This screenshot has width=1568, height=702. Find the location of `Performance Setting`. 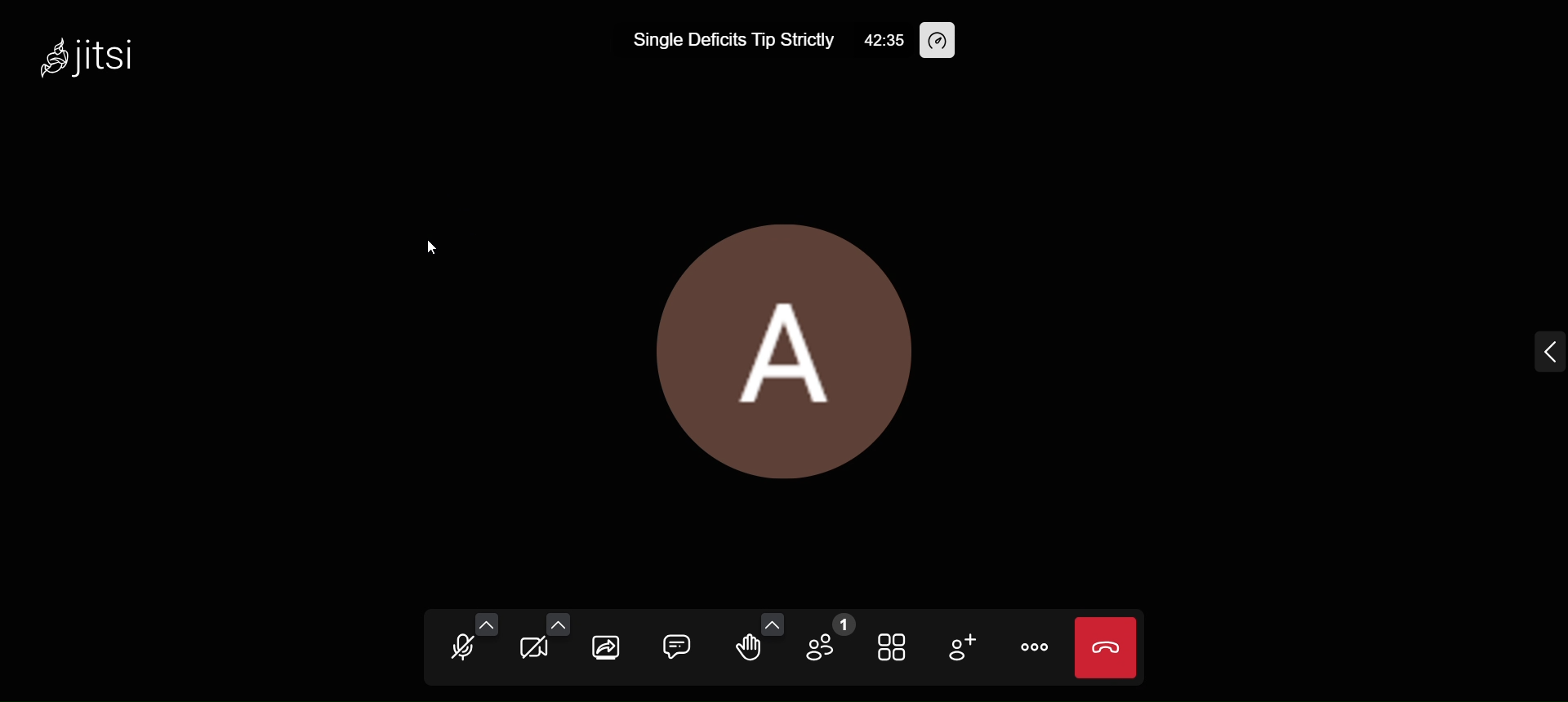

Performance Setting is located at coordinates (944, 41).